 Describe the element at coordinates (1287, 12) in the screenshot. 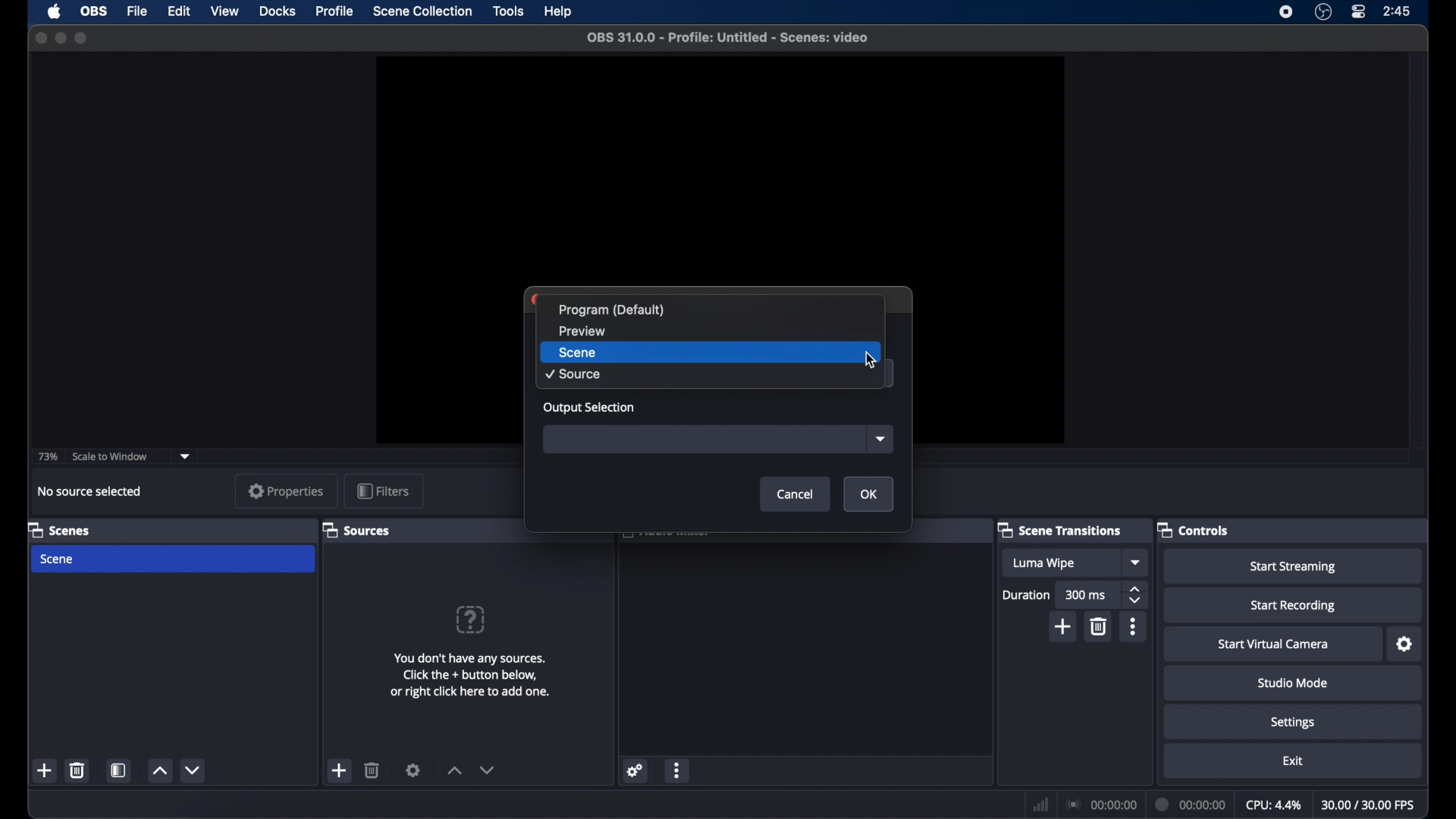

I see `screen recorder icon` at that location.